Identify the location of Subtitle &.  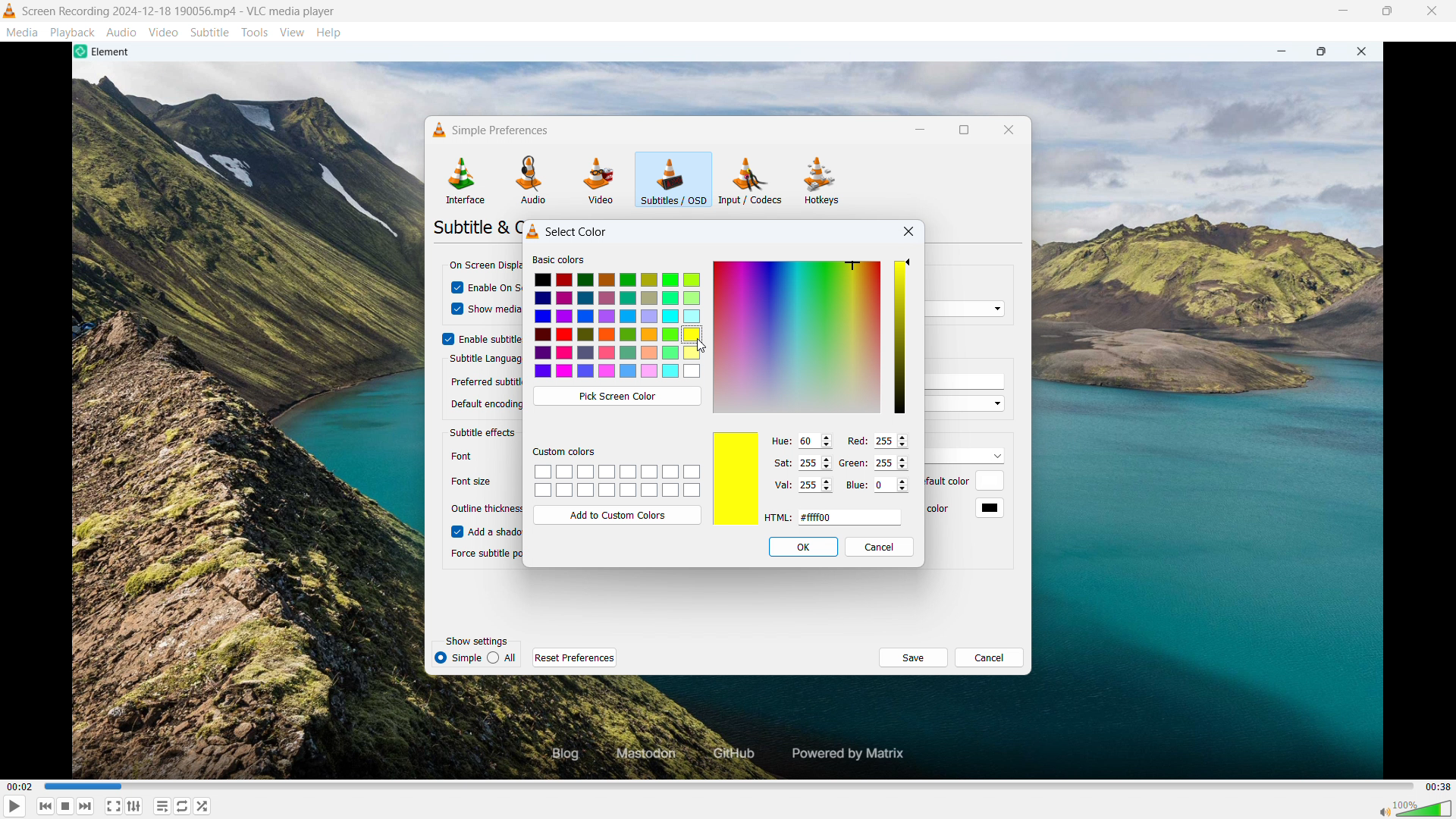
(475, 227).